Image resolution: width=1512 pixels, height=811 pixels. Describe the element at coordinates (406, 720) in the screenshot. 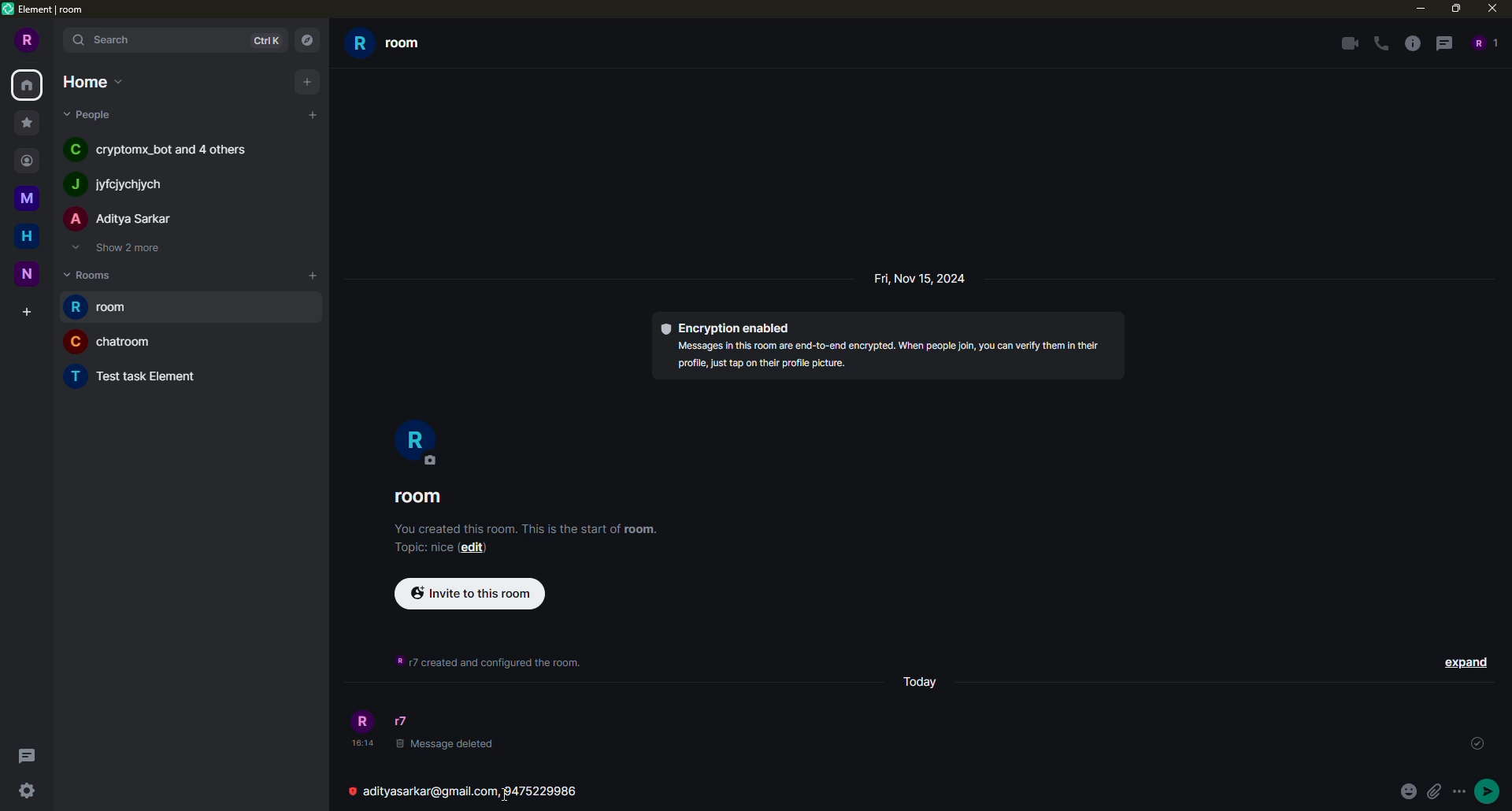

I see `people` at that location.